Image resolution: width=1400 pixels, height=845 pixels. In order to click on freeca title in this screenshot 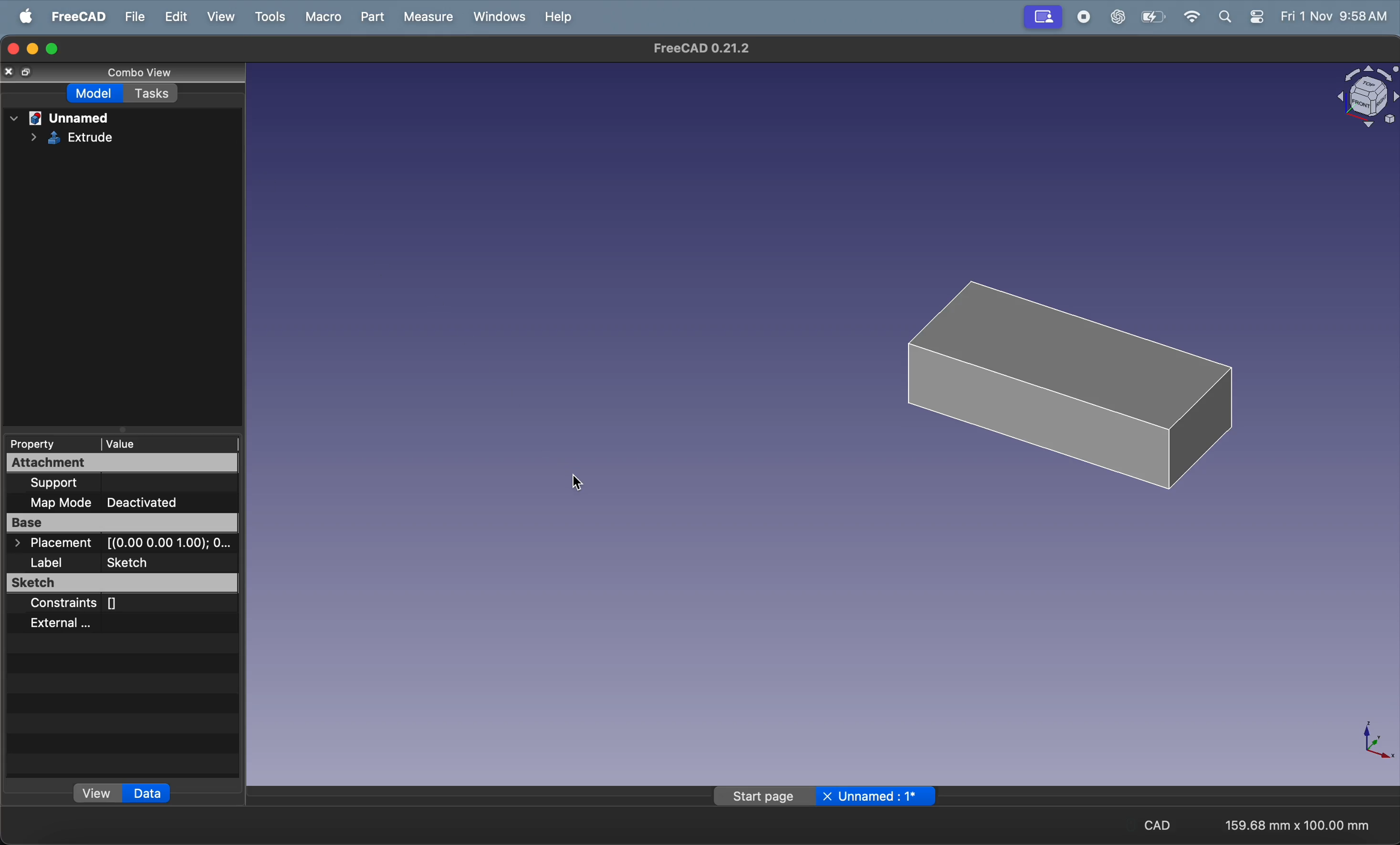, I will do `click(699, 48)`.